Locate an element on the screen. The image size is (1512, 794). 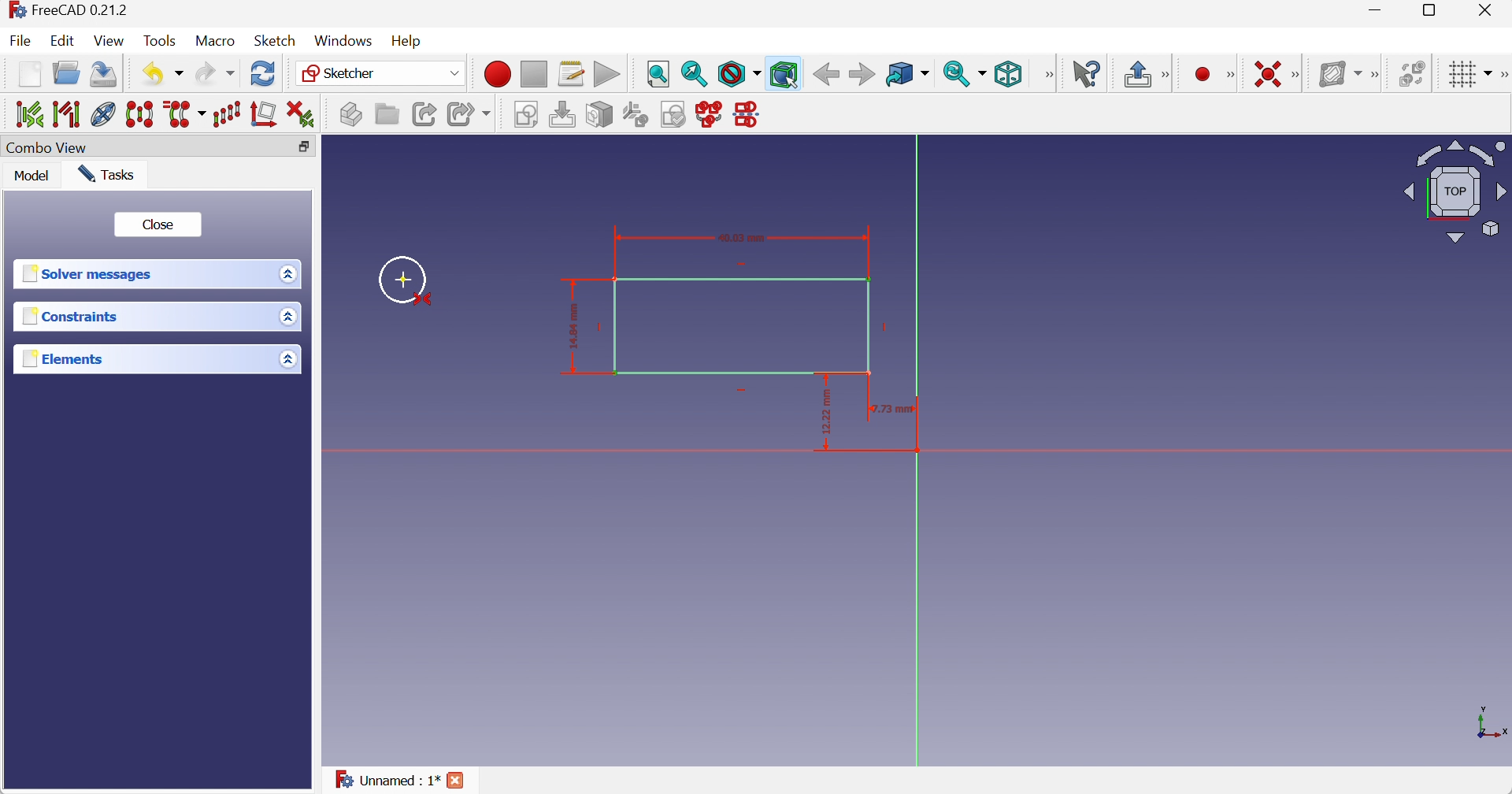
Drop down is located at coordinates (291, 273).